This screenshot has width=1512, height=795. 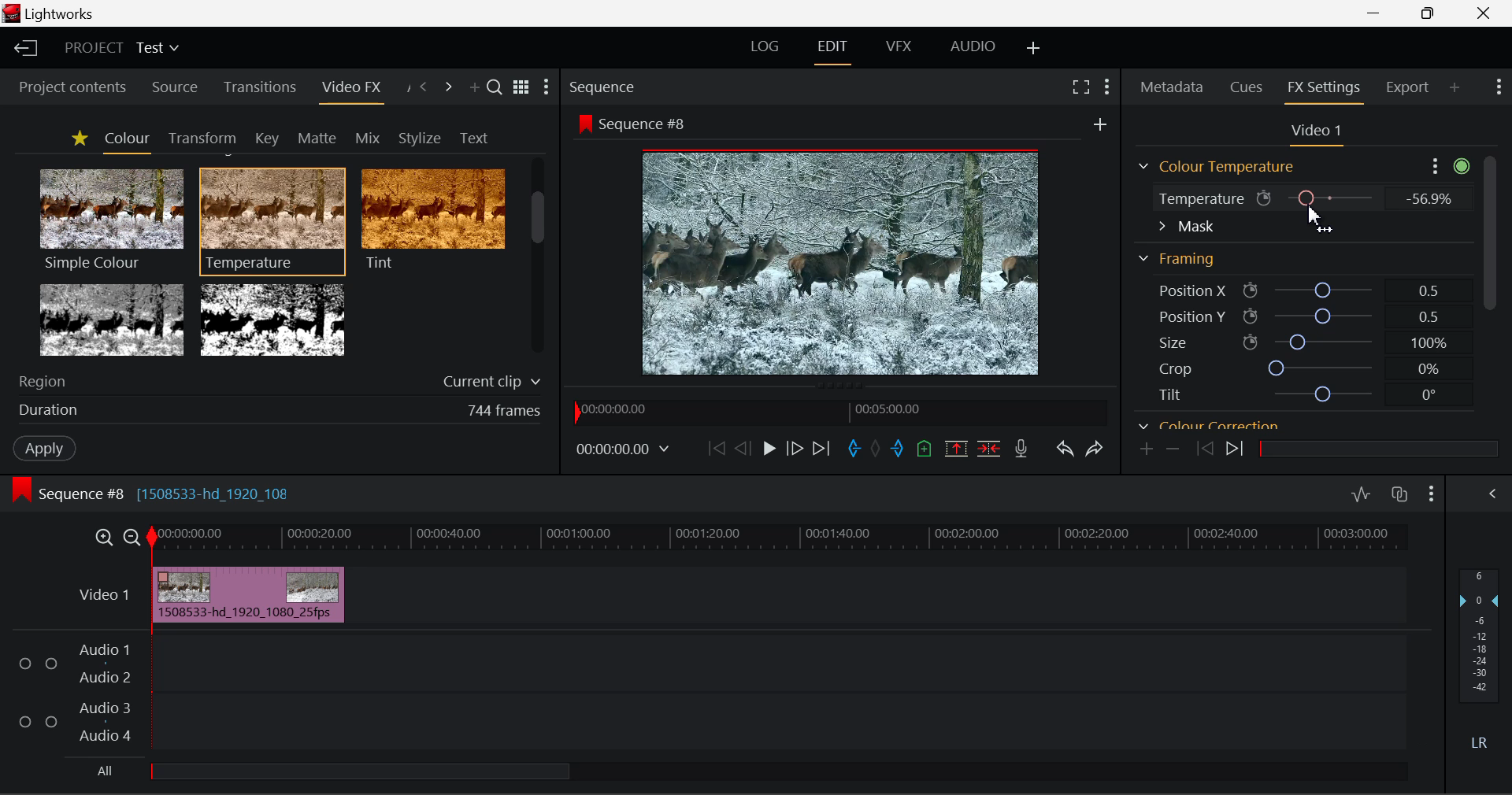 What do you see at coordinates (1492, 494) in the screenshot?
I see `Show Settings` at bounding box center [1492, 494].